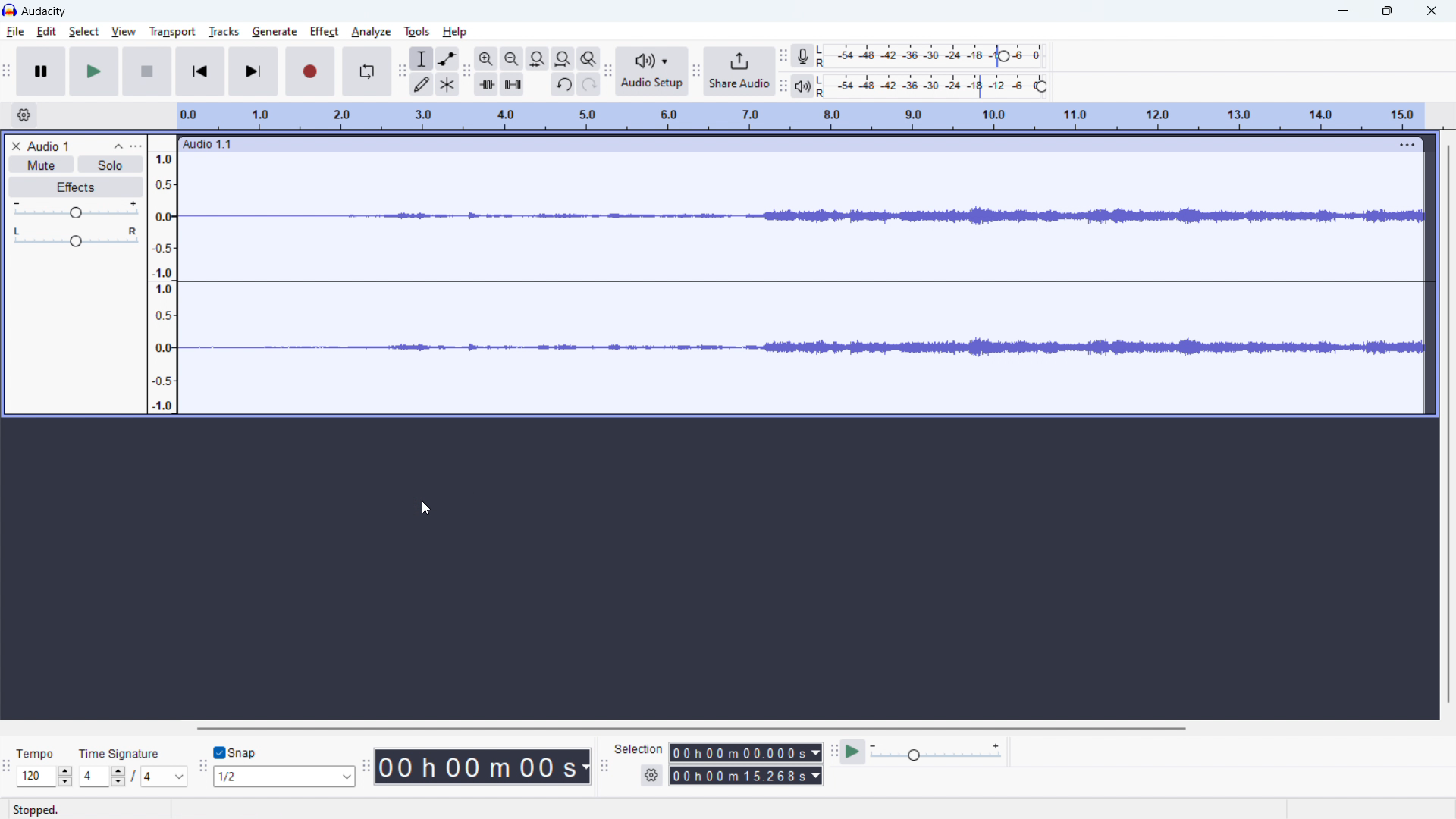 The image size is (1456, 819). Describe the element at coordinates (937, 86) in the screenshot. I see `playback level` at that location.